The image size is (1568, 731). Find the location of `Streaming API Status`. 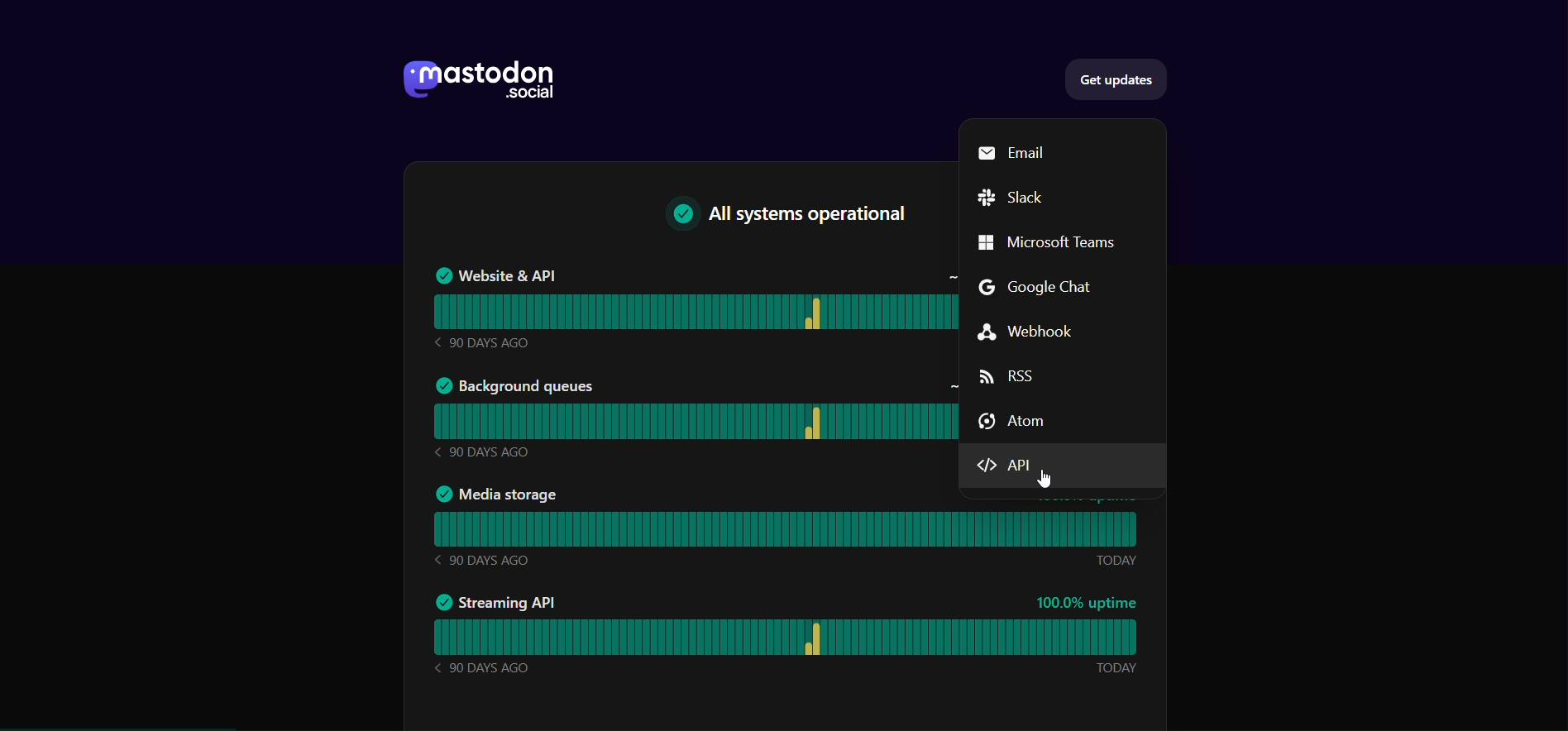

Streaming API Status is located at coordinates (787, 638).